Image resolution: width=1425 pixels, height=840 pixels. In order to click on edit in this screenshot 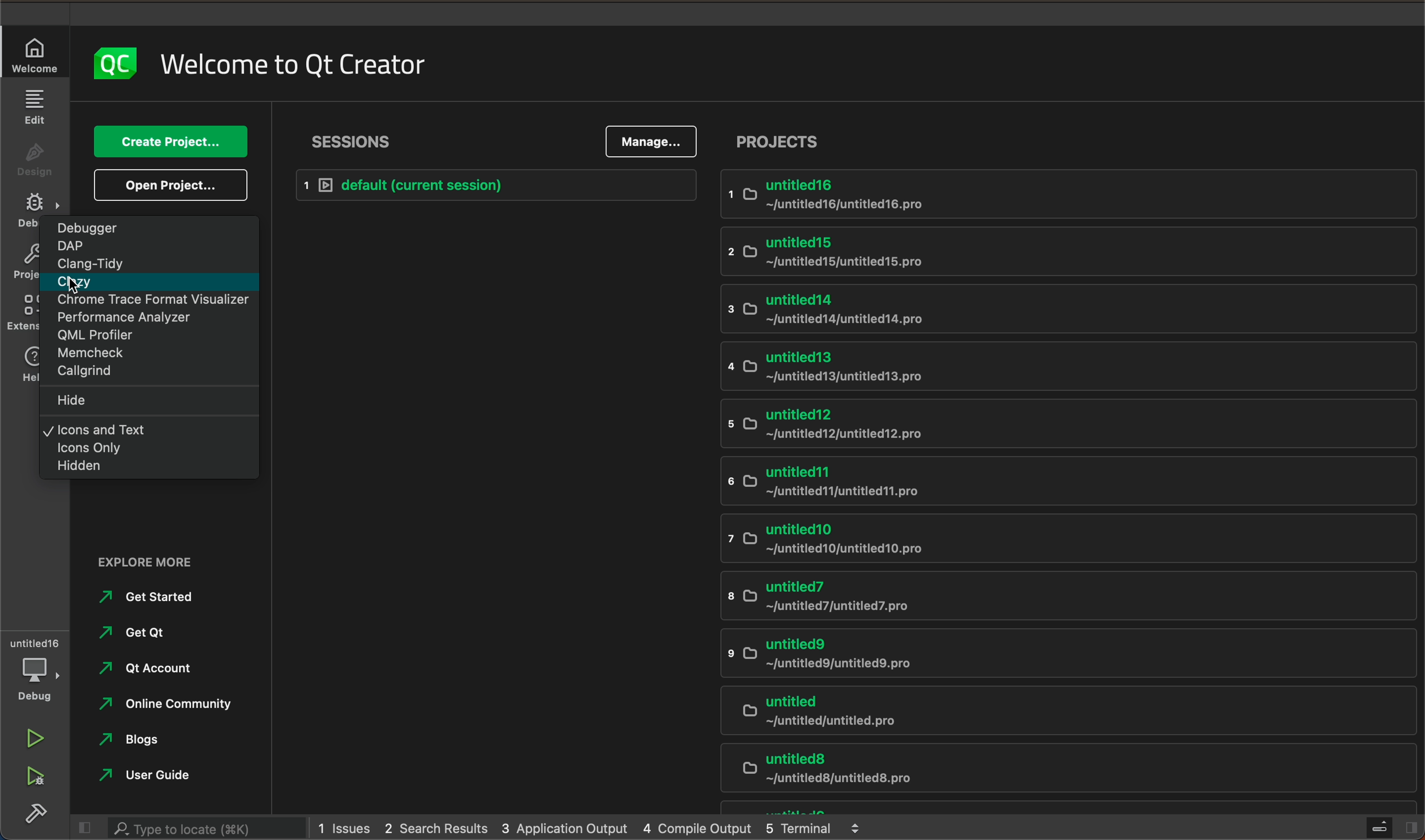, I will do `click(35, 106)`.